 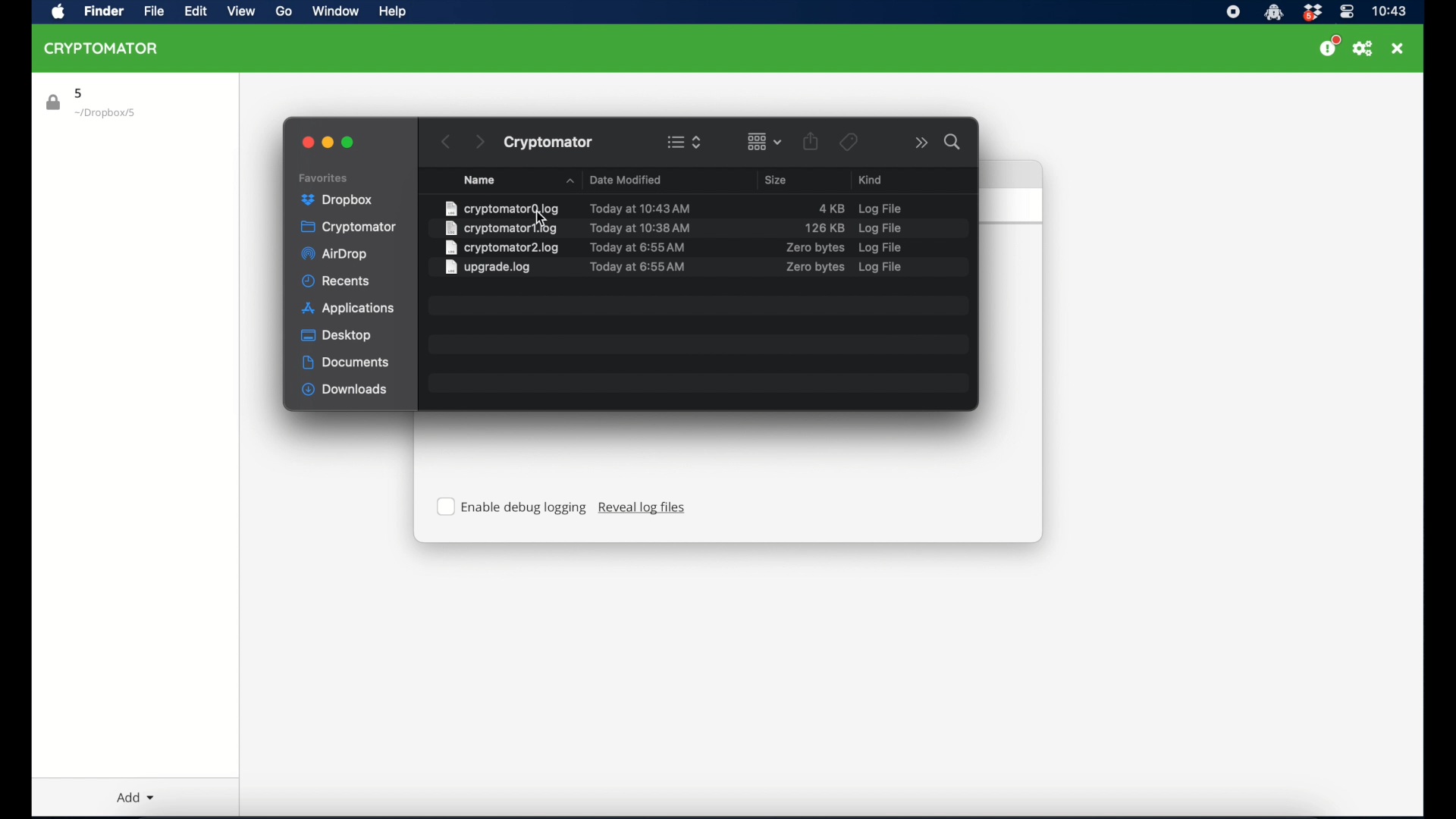 What do you see at coordinates (1390, 11) in the screenshot?
I see `time` at bounding box center [1390, 11].